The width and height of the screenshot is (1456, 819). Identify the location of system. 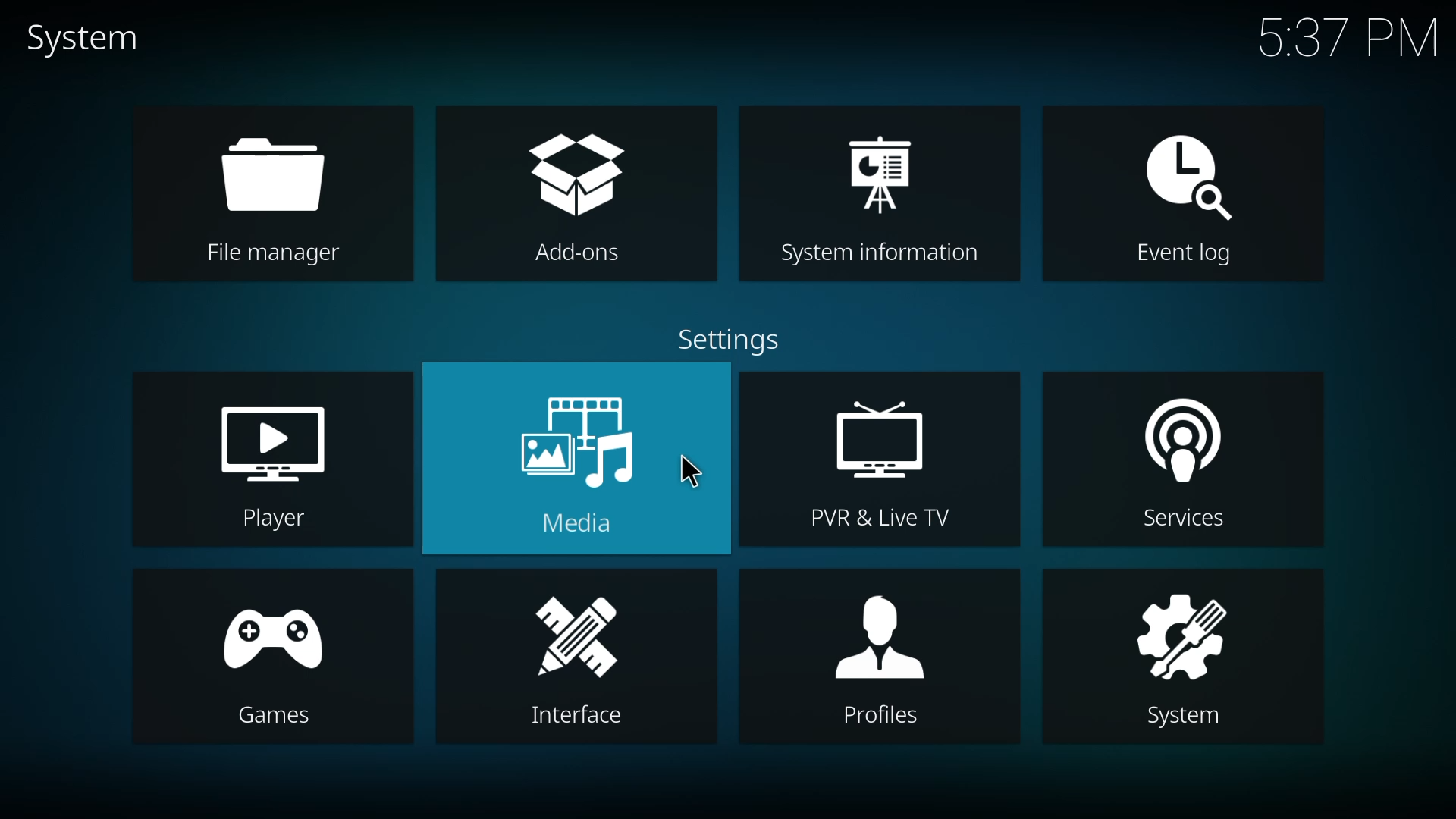
(86, 39).